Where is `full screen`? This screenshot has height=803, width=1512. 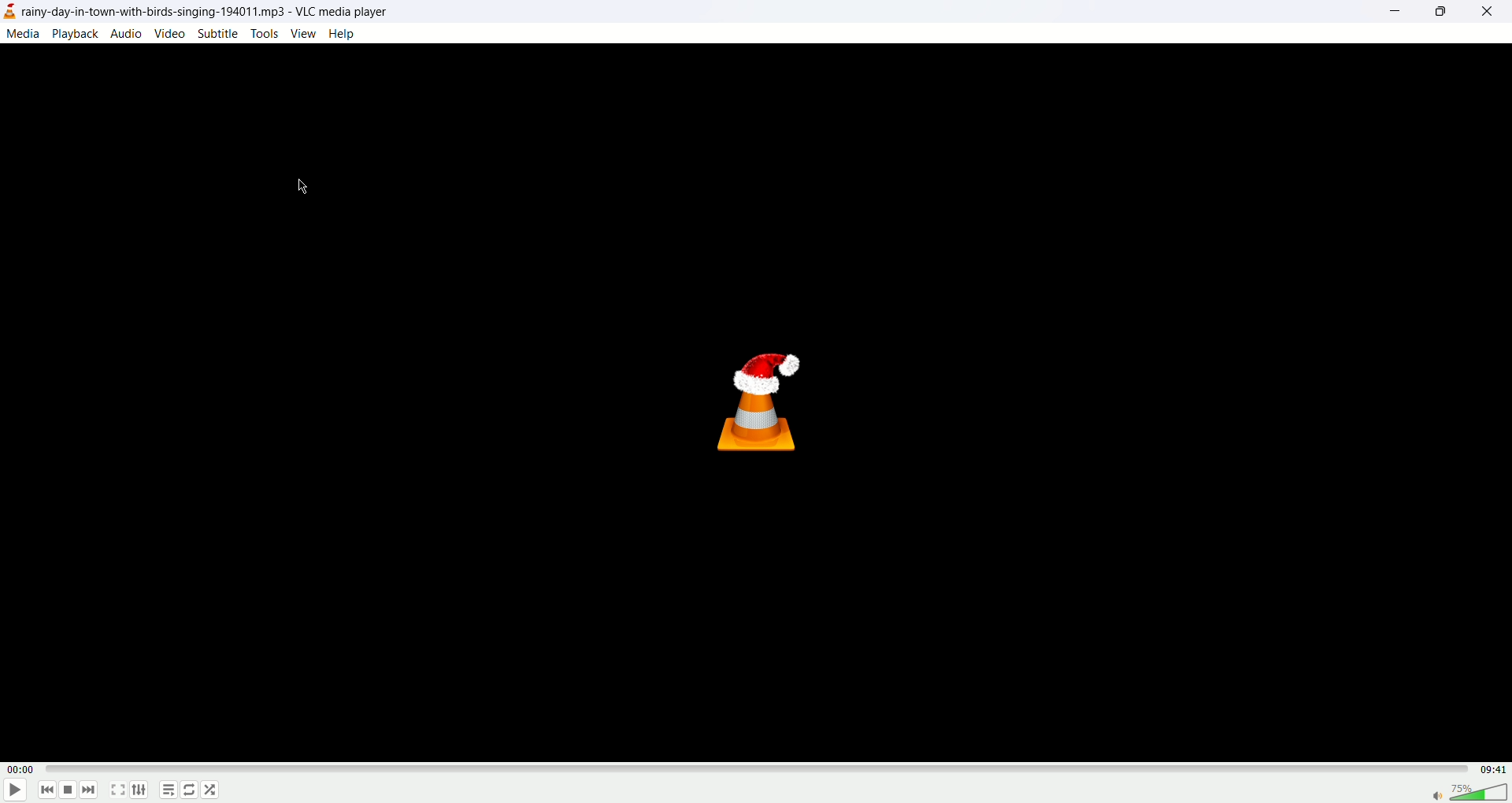 full screen is located at coordinates (119, 791).